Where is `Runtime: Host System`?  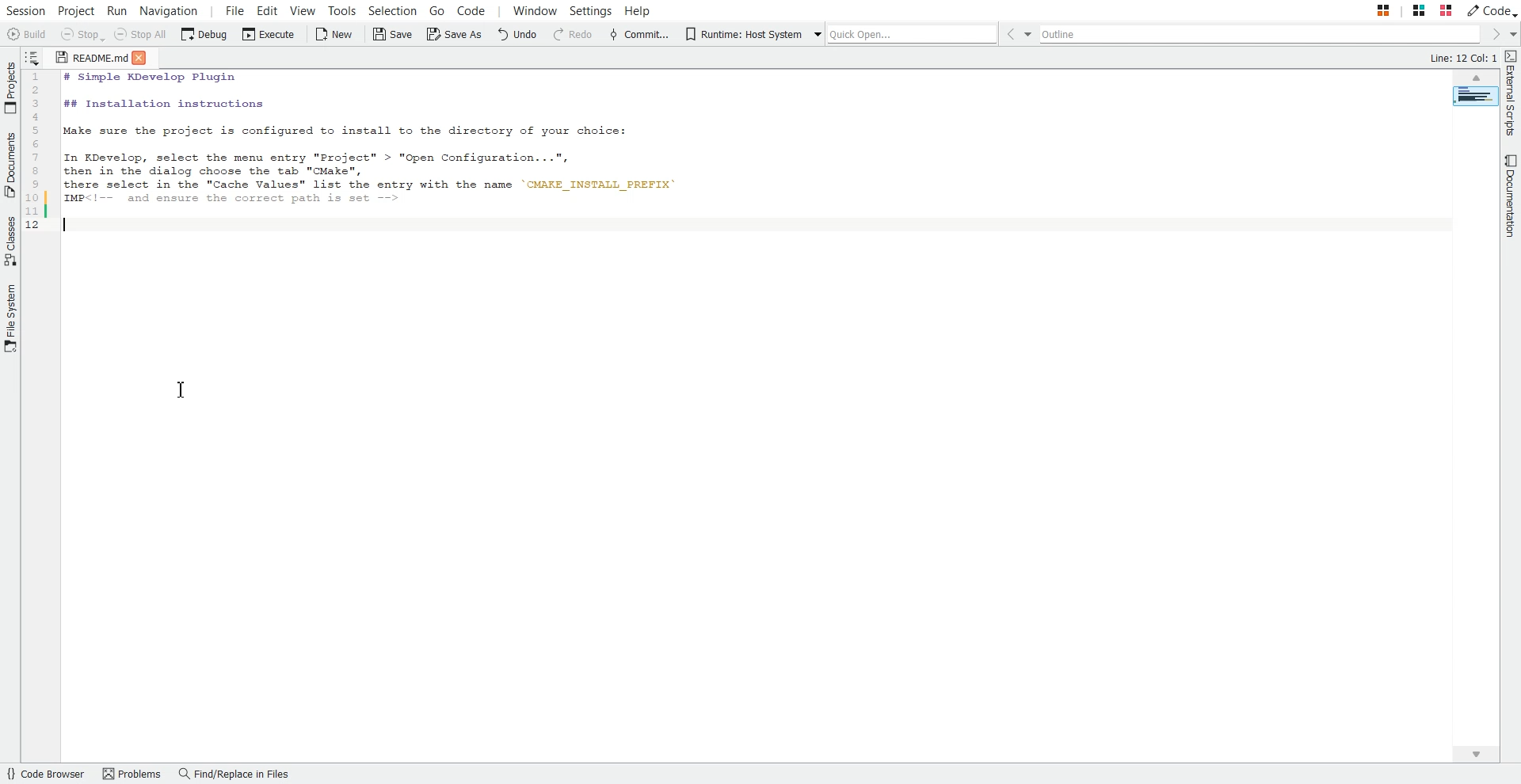 Runtime: Host System is located at coordinates (741, 35).